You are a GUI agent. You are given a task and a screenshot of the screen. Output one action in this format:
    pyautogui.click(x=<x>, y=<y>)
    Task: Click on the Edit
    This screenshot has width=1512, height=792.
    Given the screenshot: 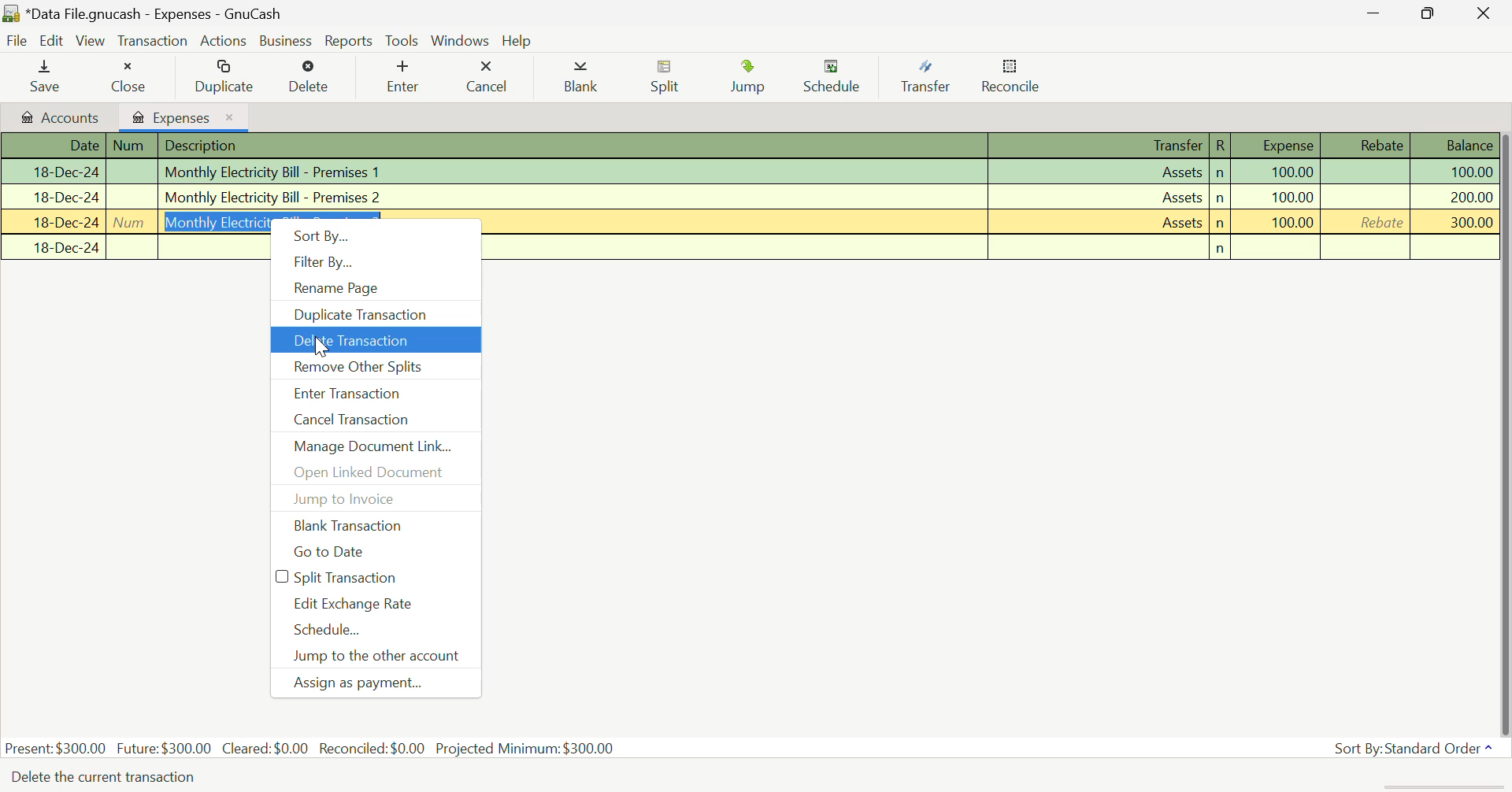 What is the action you would take?
    pyautogui.click(x=52, y=41)
    